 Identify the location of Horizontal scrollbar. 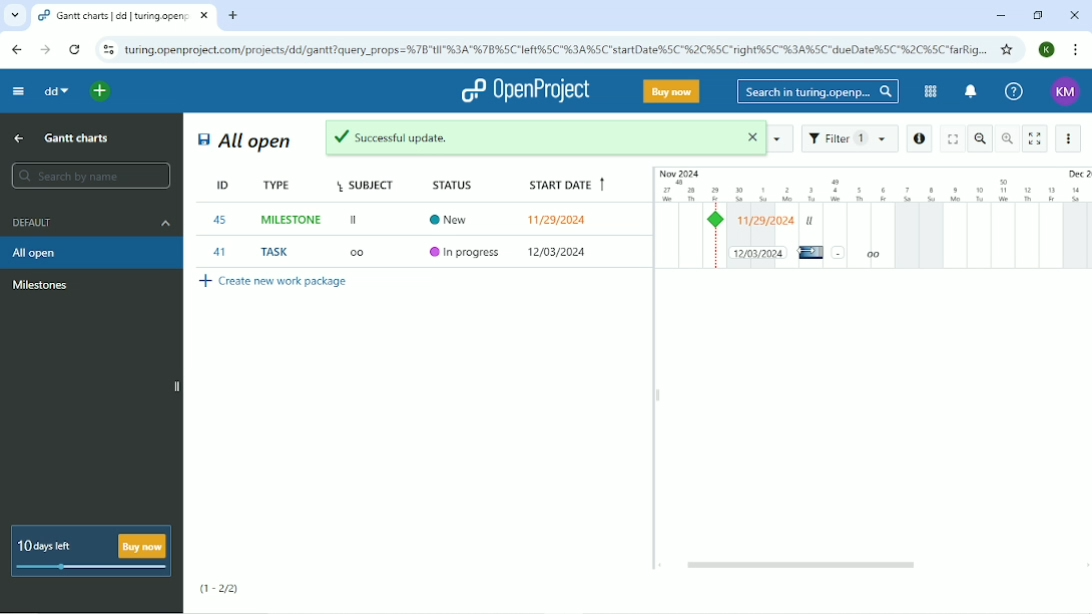
(804, 565).